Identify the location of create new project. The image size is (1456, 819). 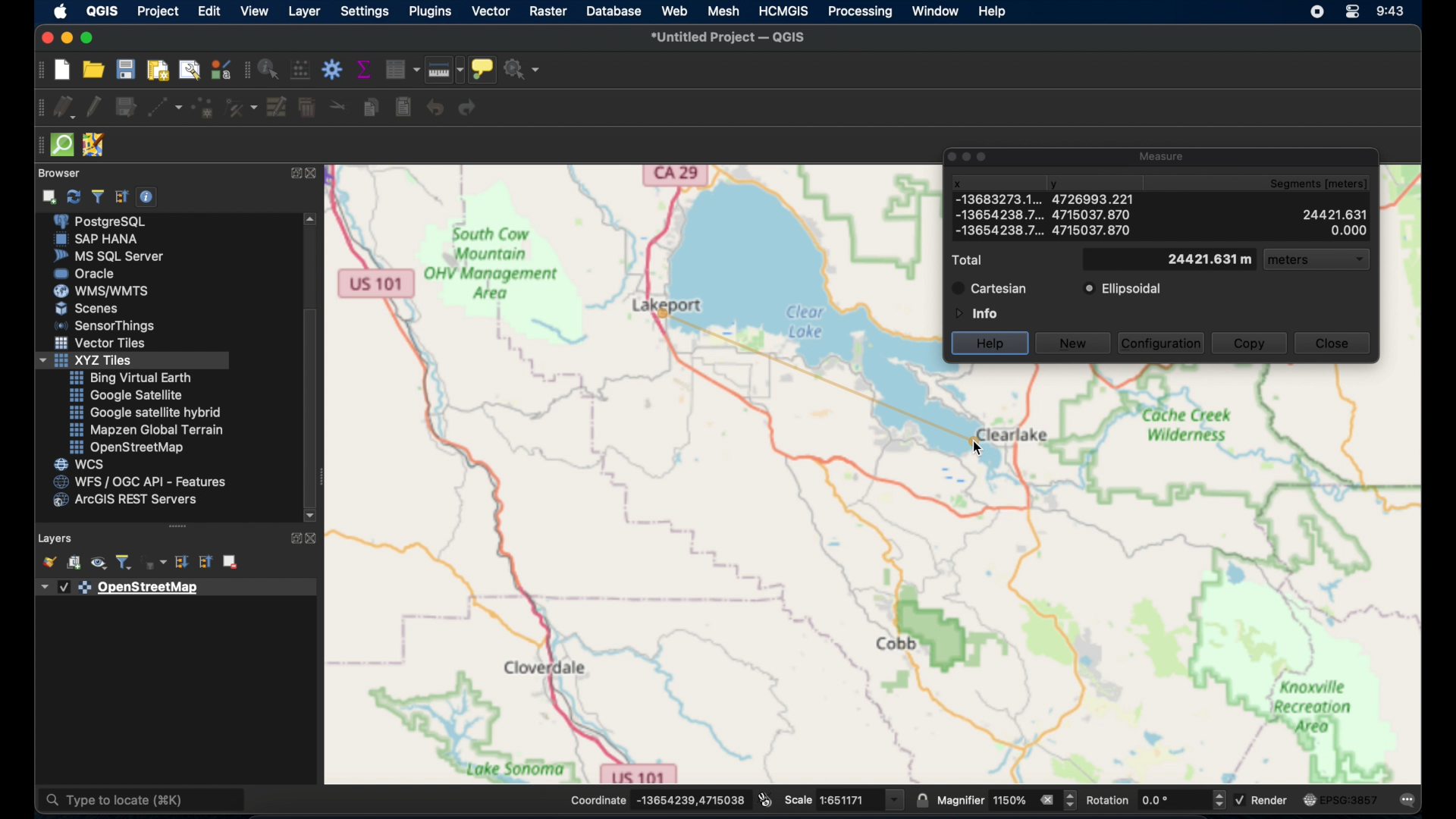
(61, 70).